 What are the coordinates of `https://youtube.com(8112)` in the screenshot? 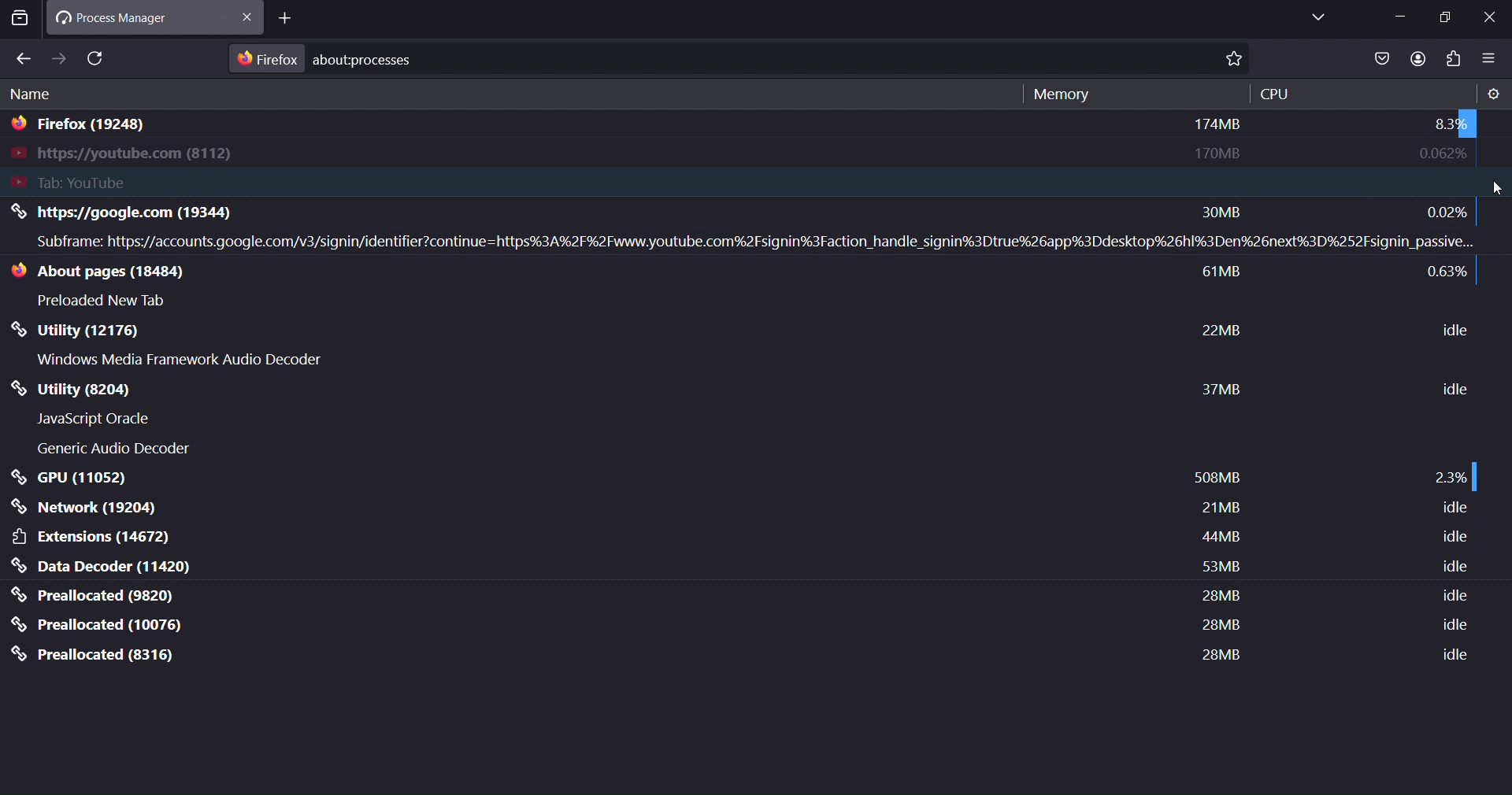 It's located at (140, 155).